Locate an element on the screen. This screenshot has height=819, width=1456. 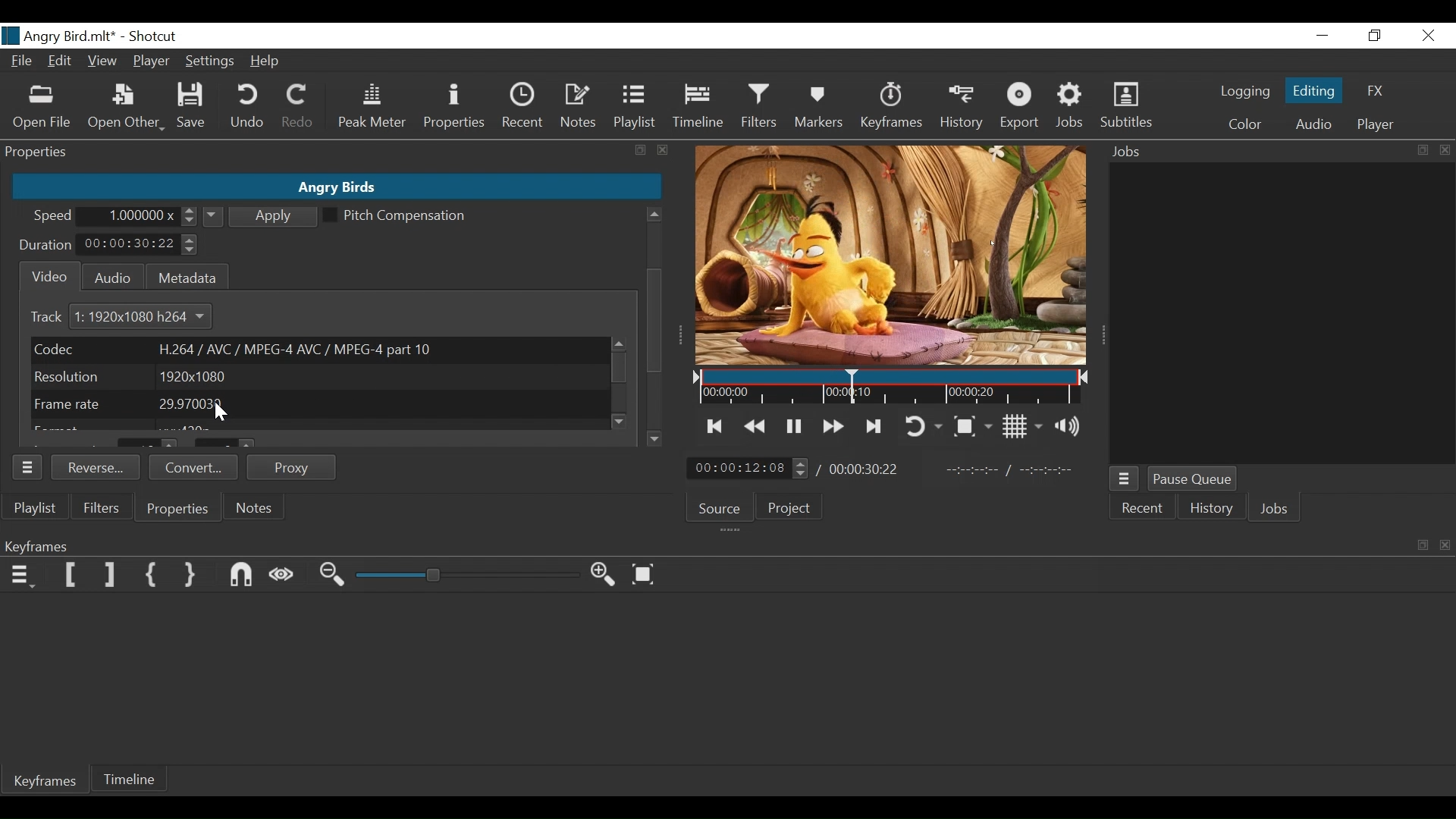
Jobs Panel is located at coordinates (1275, 152).